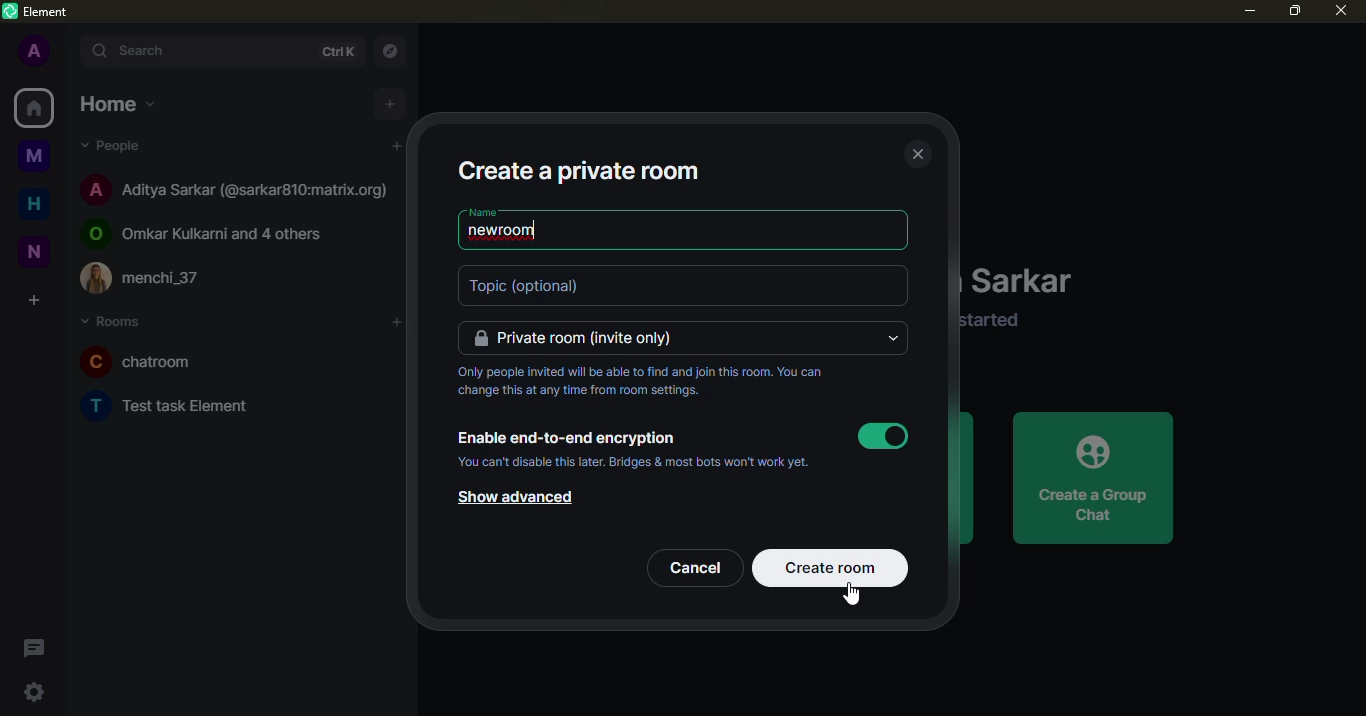  I want to click on chatroom, so click(140, 360).